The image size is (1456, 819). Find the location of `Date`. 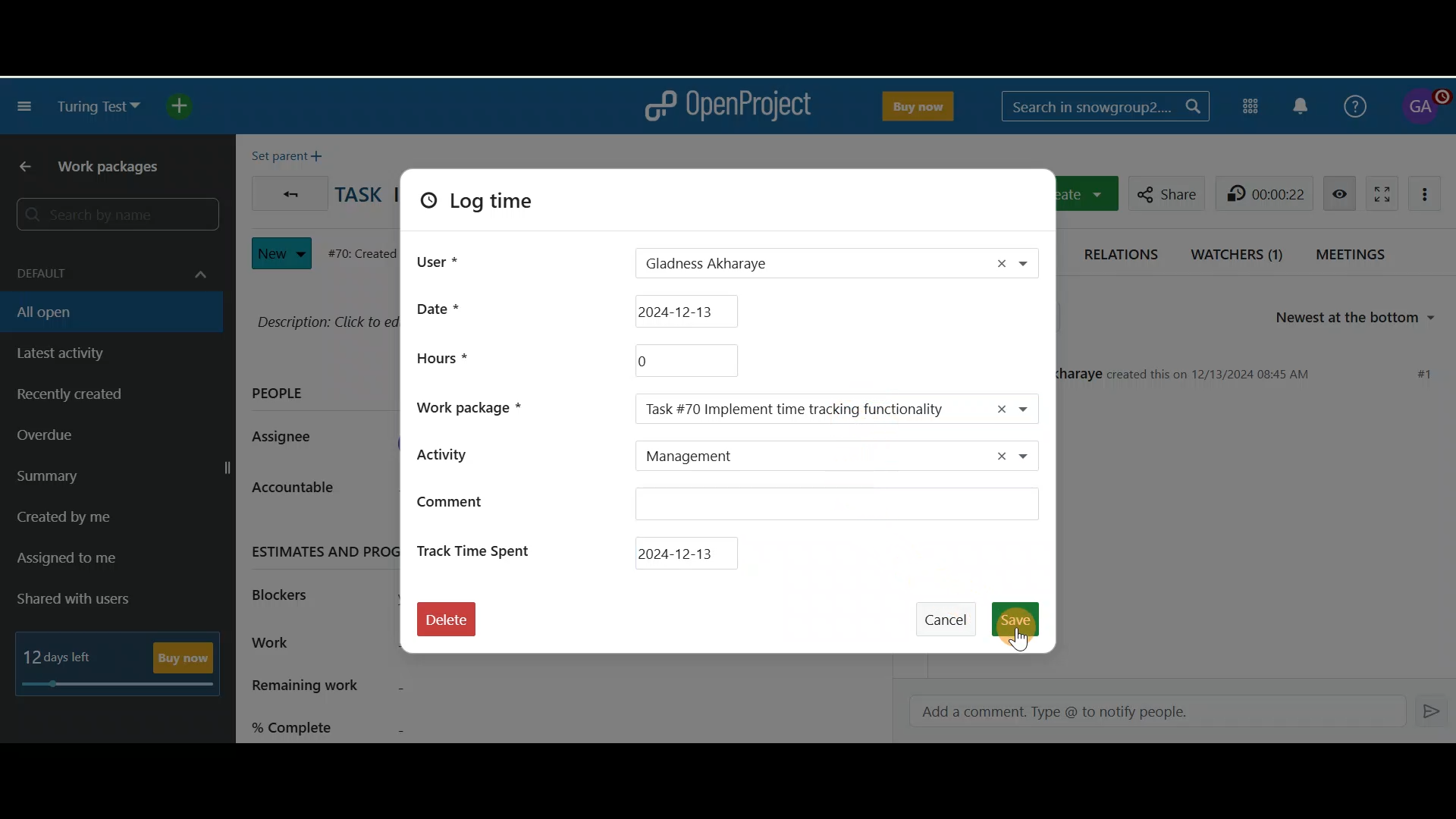

Date is located at coordinates (450, 308).